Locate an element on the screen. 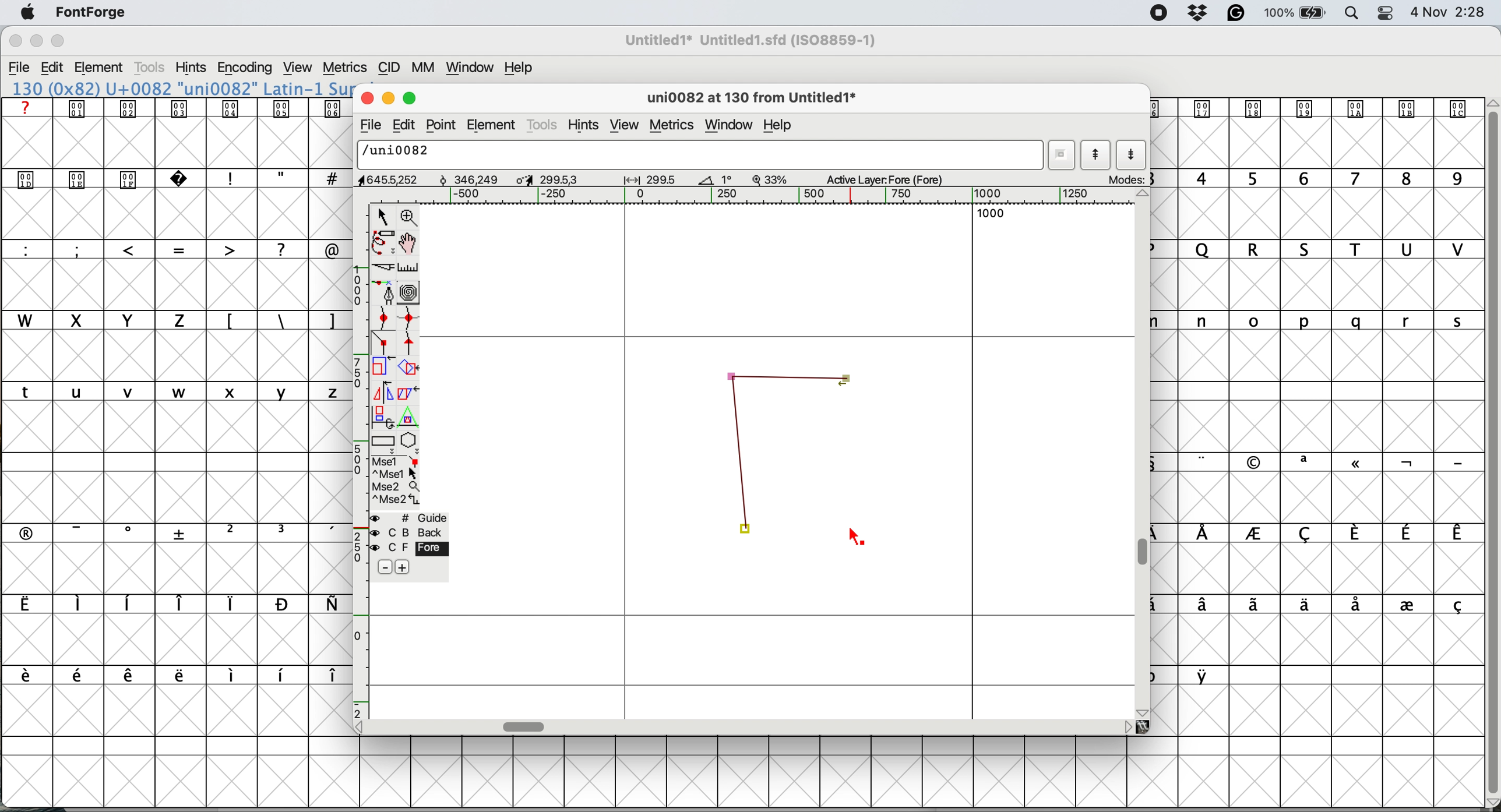 The height and width of the screenshot is (812, 1501). file is located at coordinates (20, 68).